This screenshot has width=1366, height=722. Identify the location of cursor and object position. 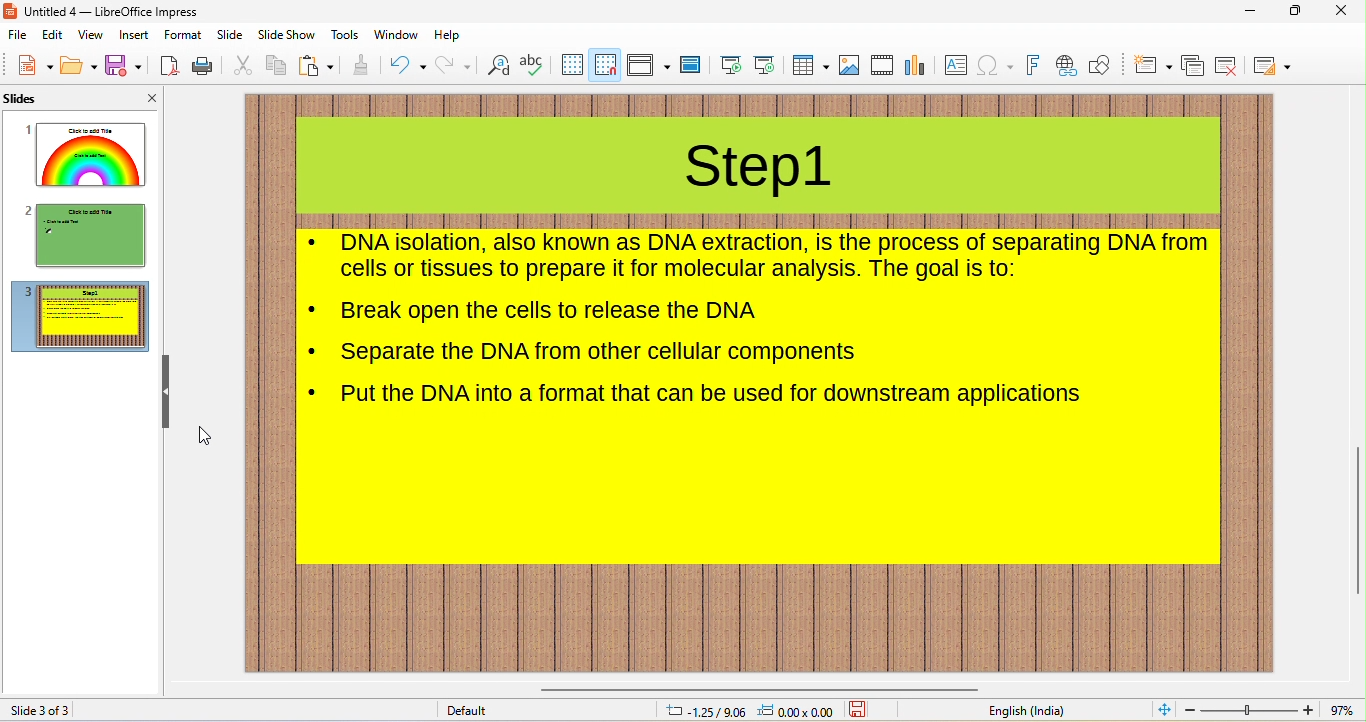
(747, 711).